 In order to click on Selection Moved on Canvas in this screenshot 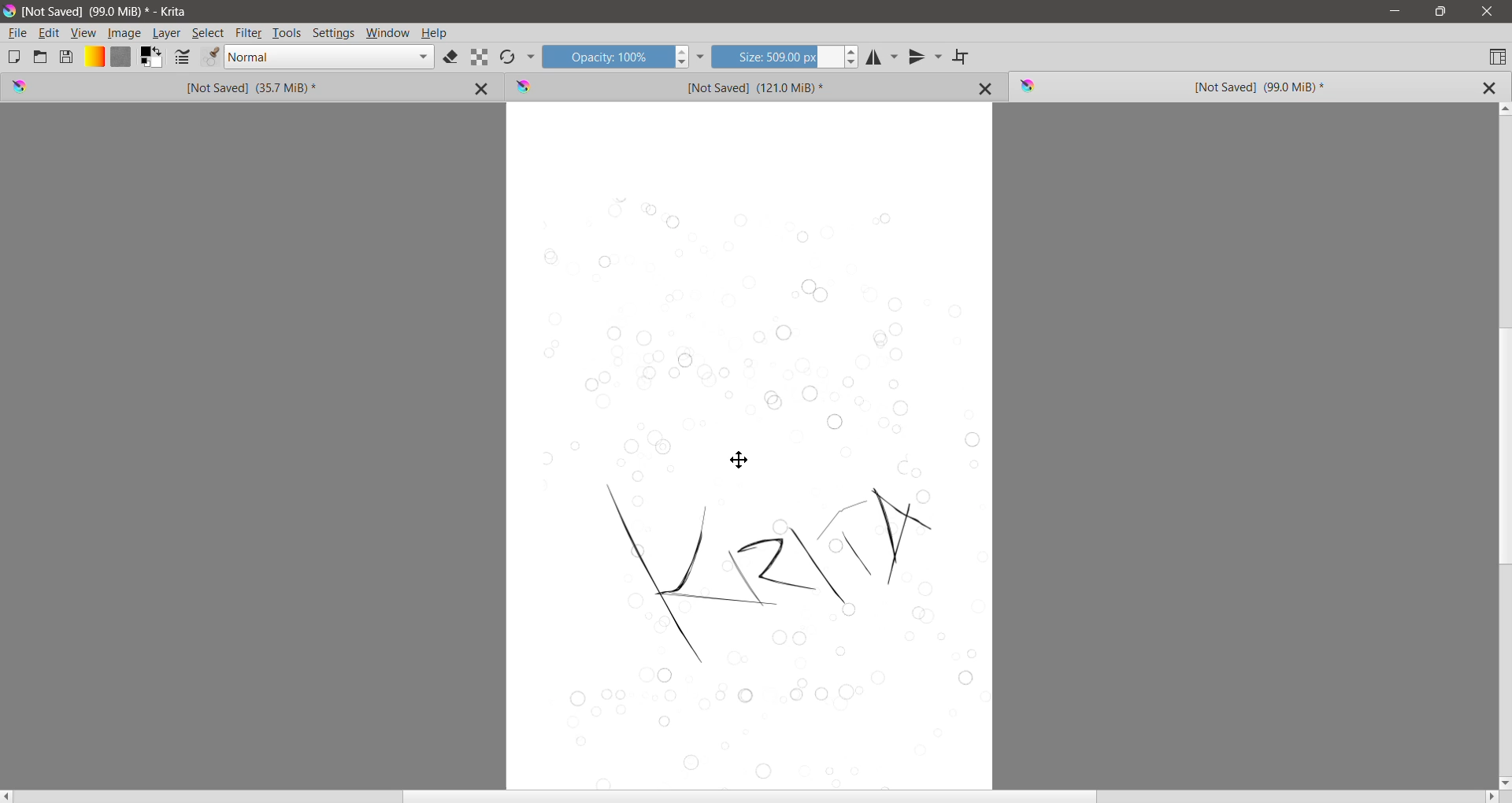, I will do `click(760, 485)`.